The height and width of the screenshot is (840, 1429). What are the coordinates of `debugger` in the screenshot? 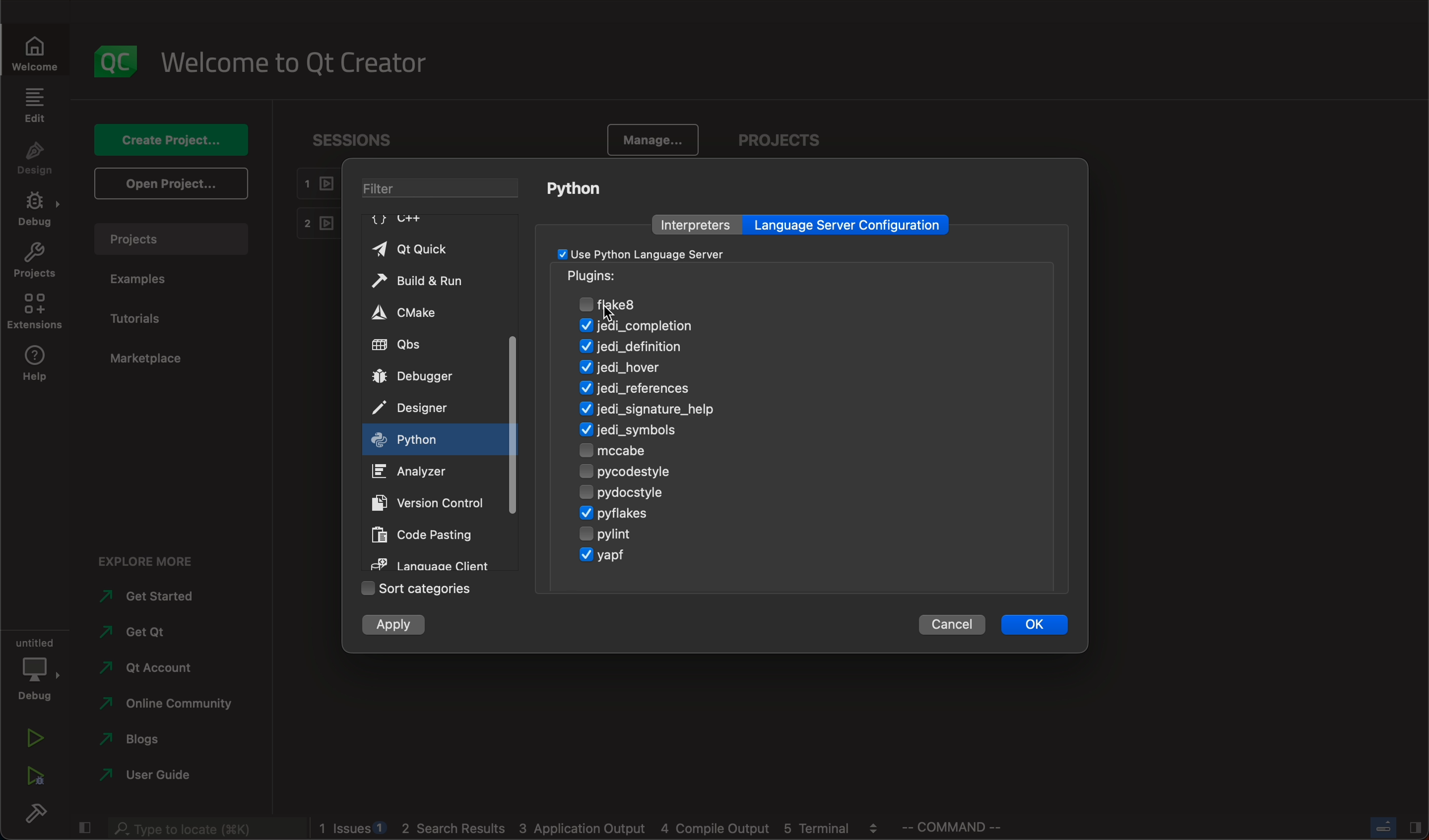 It's located at (420, 377).